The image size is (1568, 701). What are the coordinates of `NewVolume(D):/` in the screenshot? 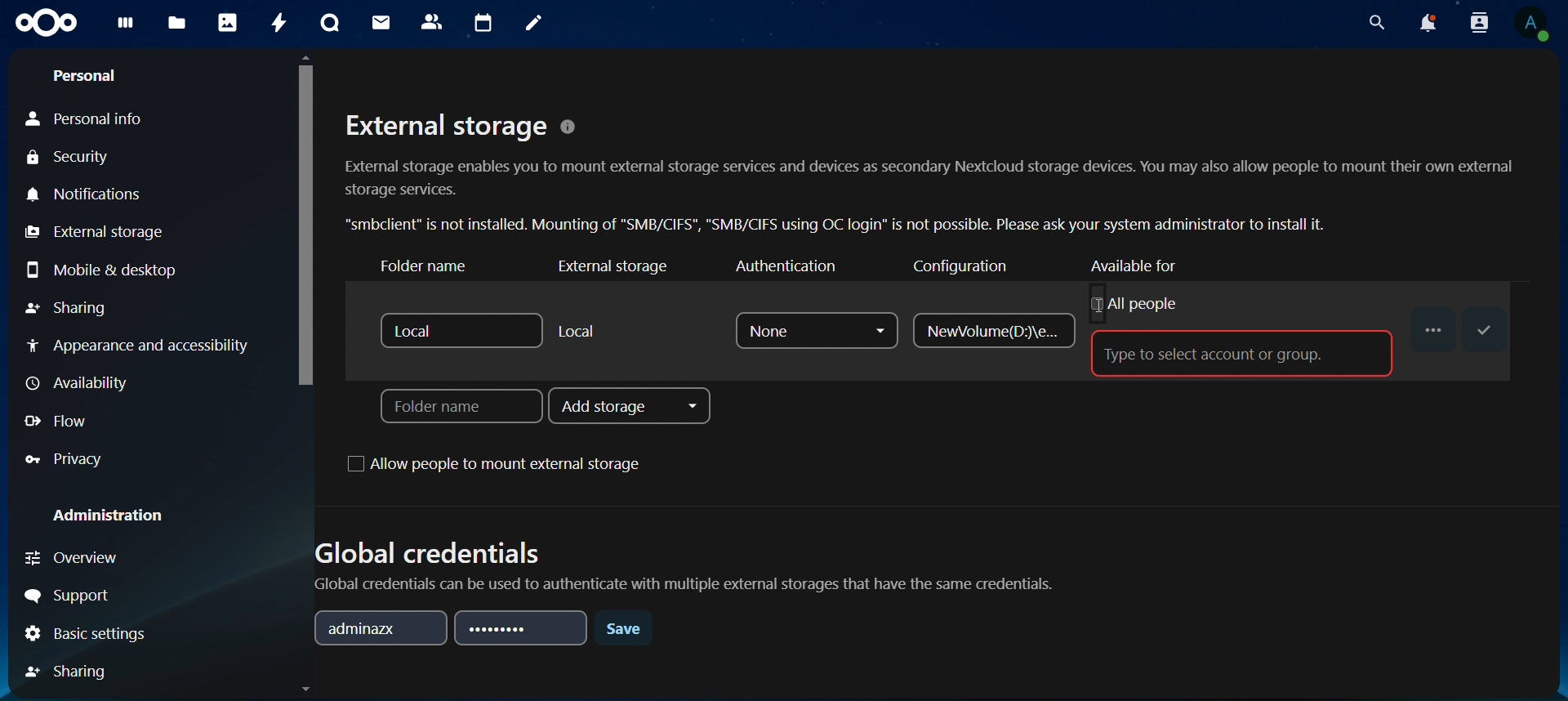 It's located at (991, 332).